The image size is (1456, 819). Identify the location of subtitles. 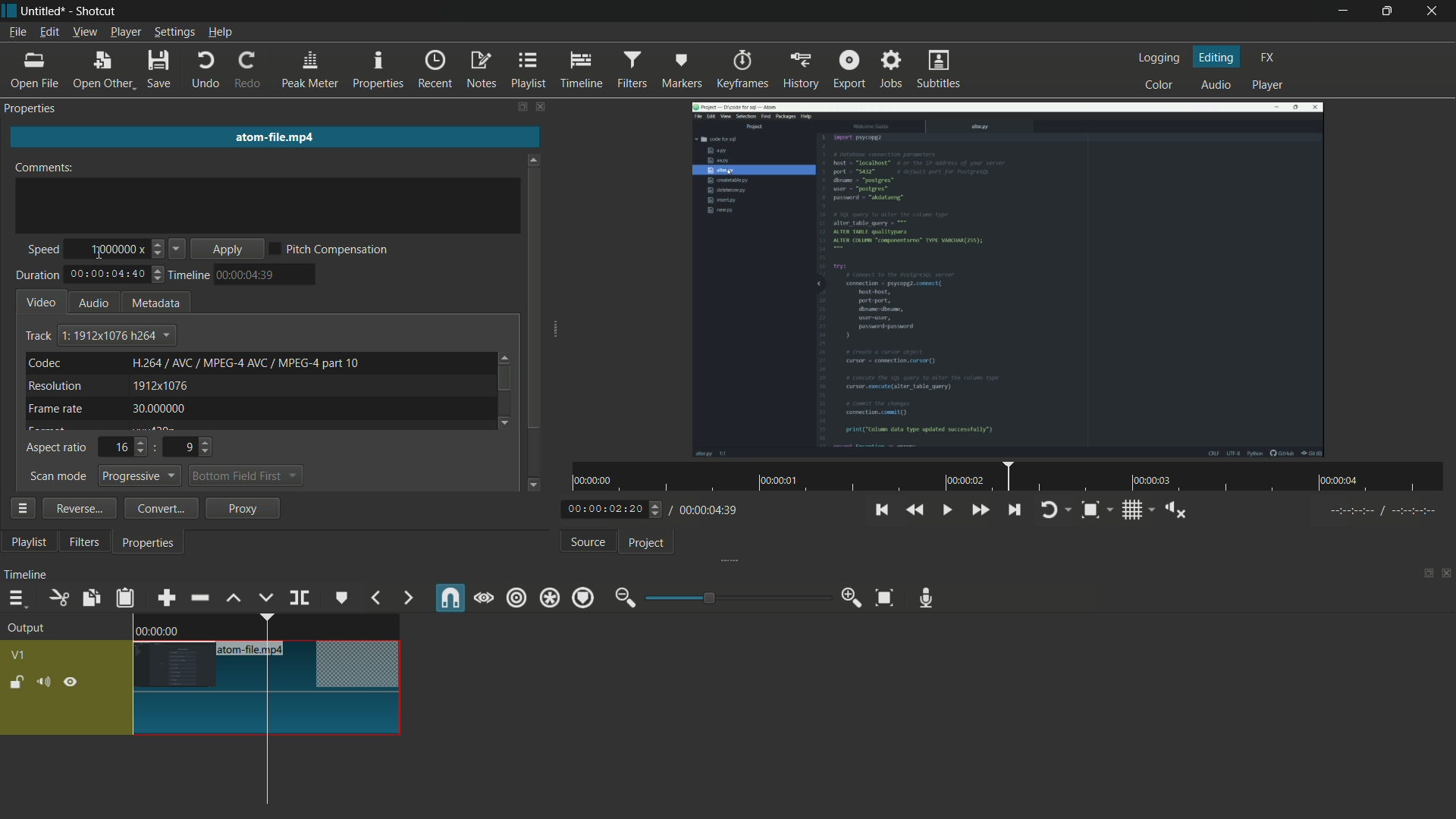
(940, 68).